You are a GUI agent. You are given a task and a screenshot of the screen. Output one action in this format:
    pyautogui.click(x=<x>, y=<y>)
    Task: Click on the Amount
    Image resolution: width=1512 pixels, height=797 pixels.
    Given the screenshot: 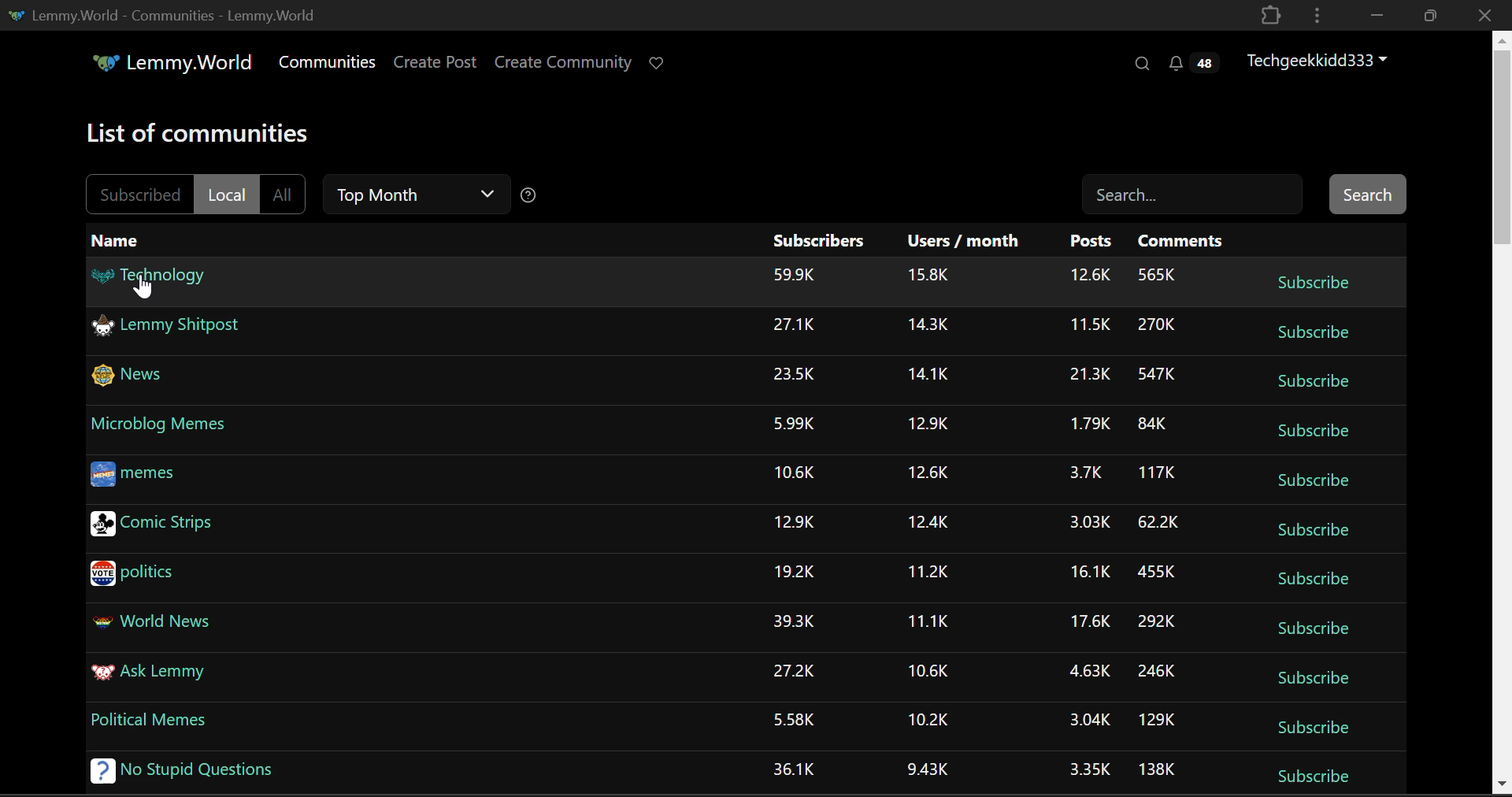 What is the action you would take?
    pyautogui.click(x=929, y=769)
    